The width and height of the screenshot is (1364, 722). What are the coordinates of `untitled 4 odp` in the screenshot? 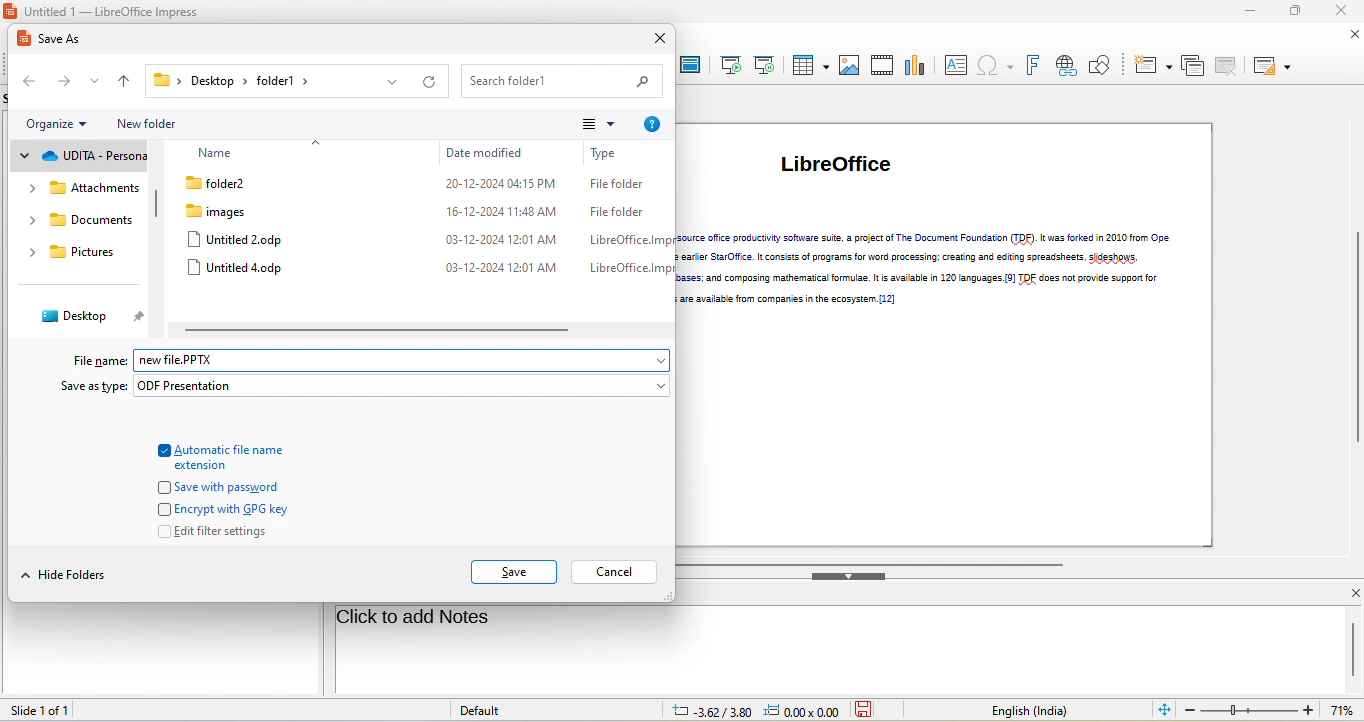 It's located at (240, 269).